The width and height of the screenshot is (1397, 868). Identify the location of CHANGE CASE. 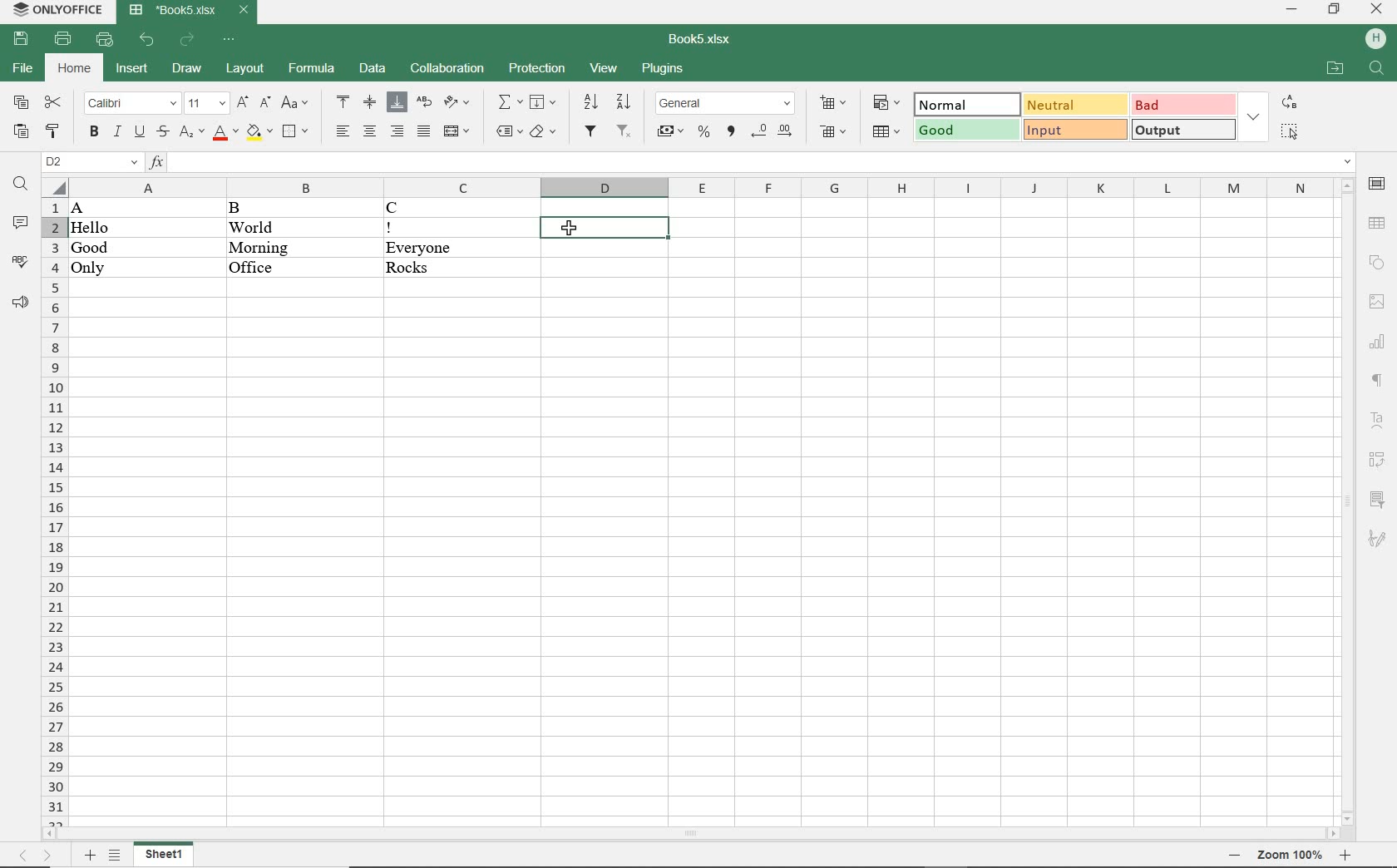
(295, 104).